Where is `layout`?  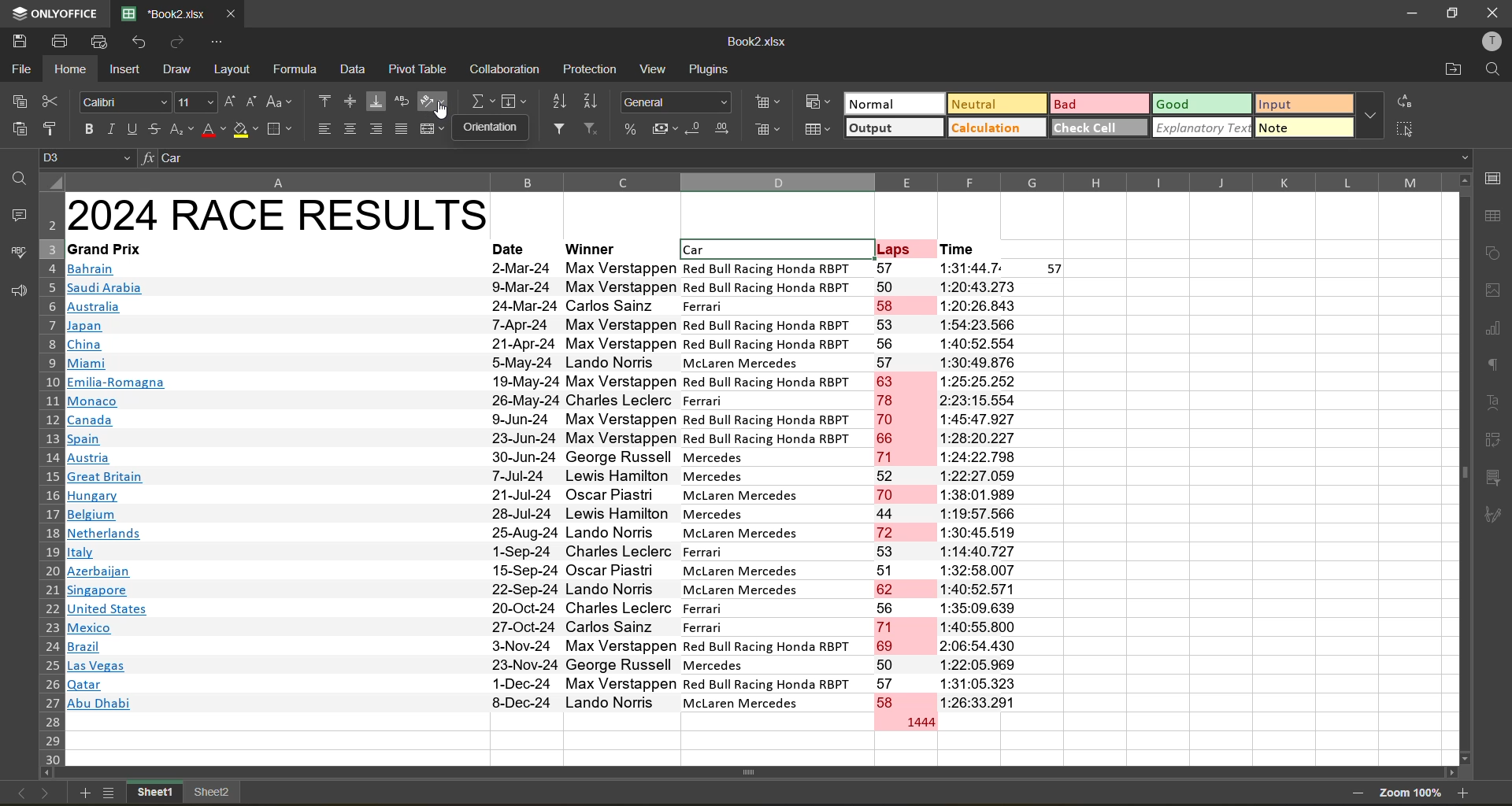 layout is located at coordinates (230, 70).